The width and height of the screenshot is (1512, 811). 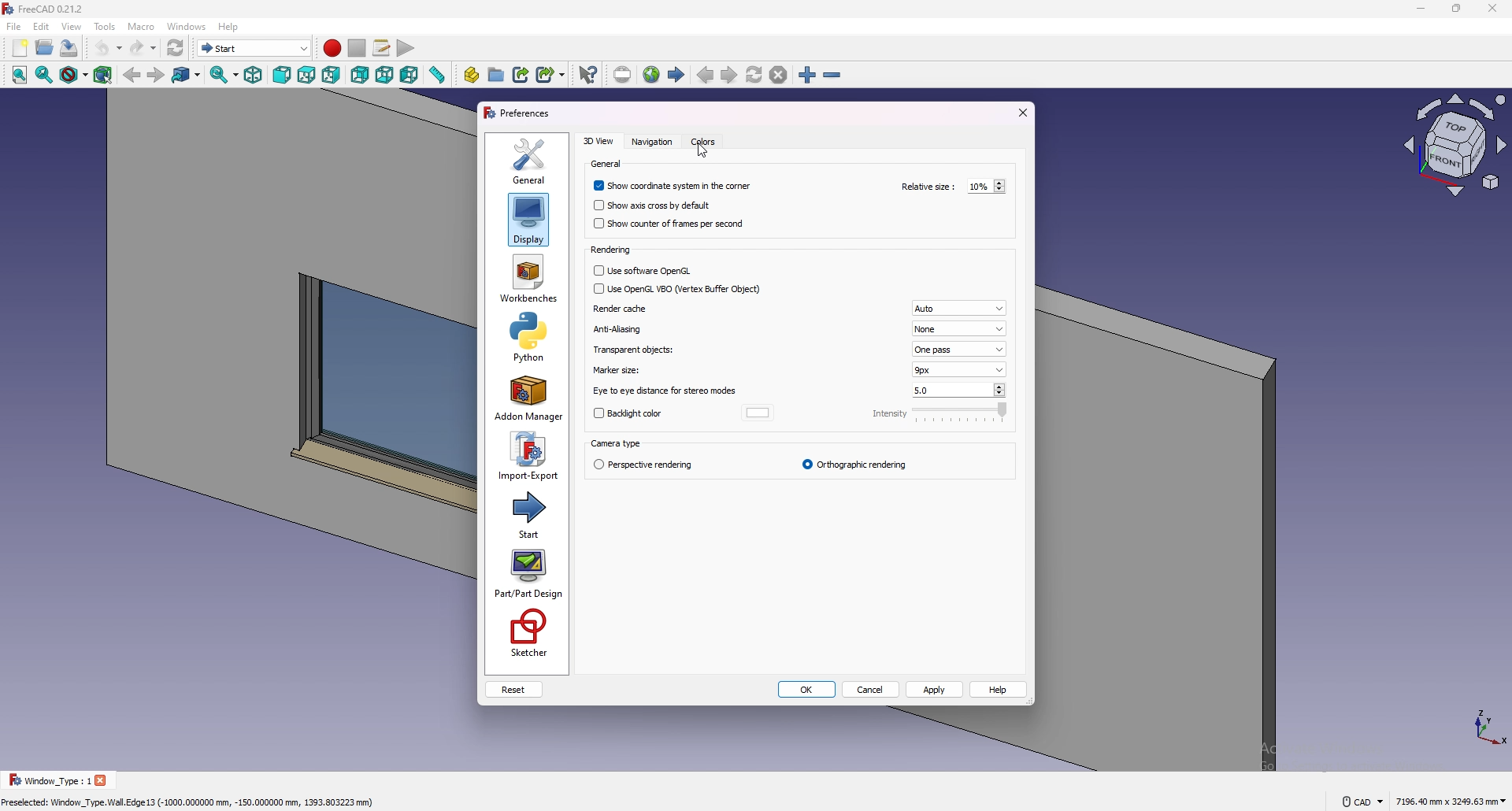 What do you see at coordinates (1417, 9) in the screenshot?
I see `minimize` at bounding box center [1417, 9].